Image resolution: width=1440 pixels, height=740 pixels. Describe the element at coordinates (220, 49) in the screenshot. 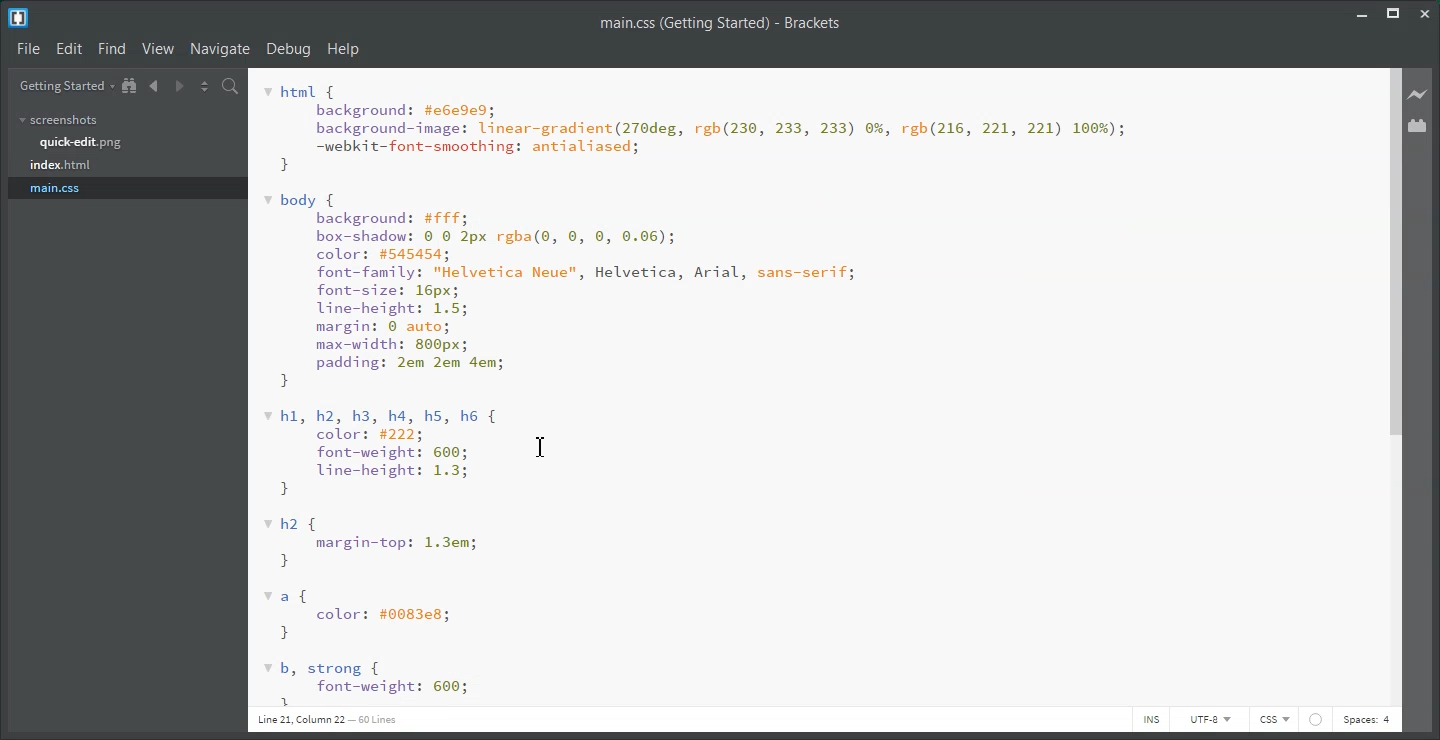

I see `Navigate` at that location.